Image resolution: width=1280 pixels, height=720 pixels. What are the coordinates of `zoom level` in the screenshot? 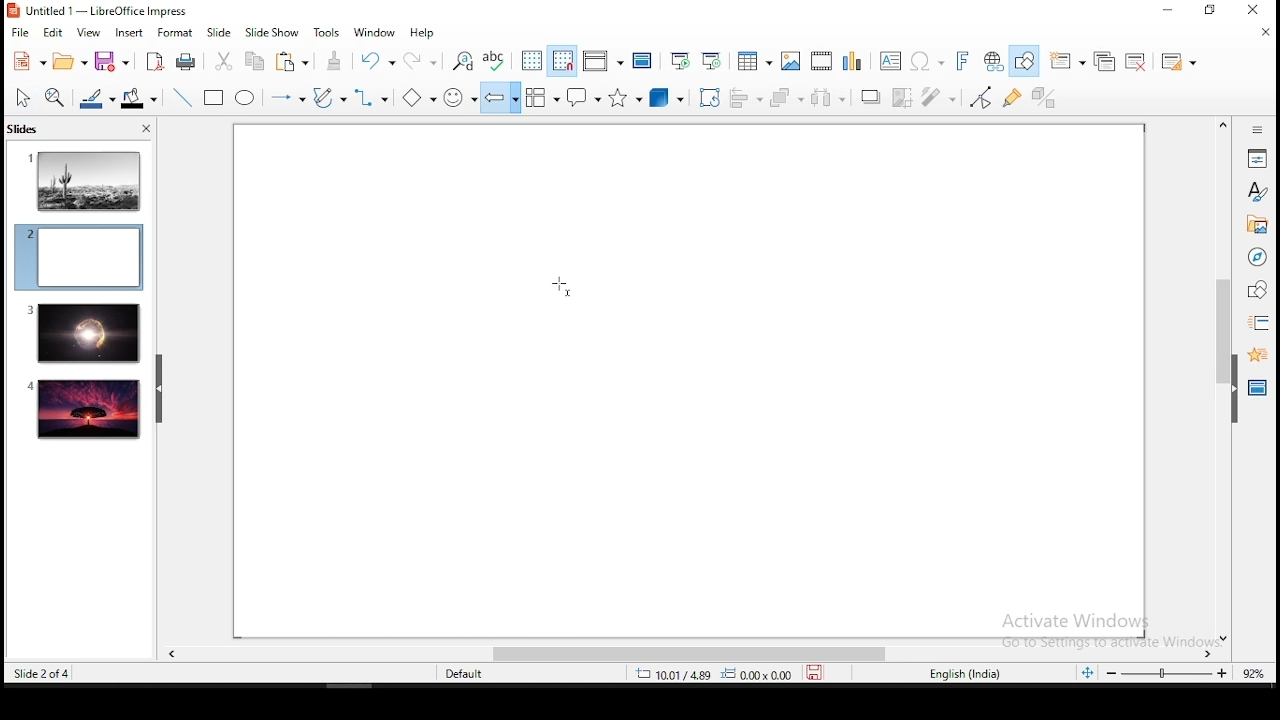 It's located at (1254, 672).